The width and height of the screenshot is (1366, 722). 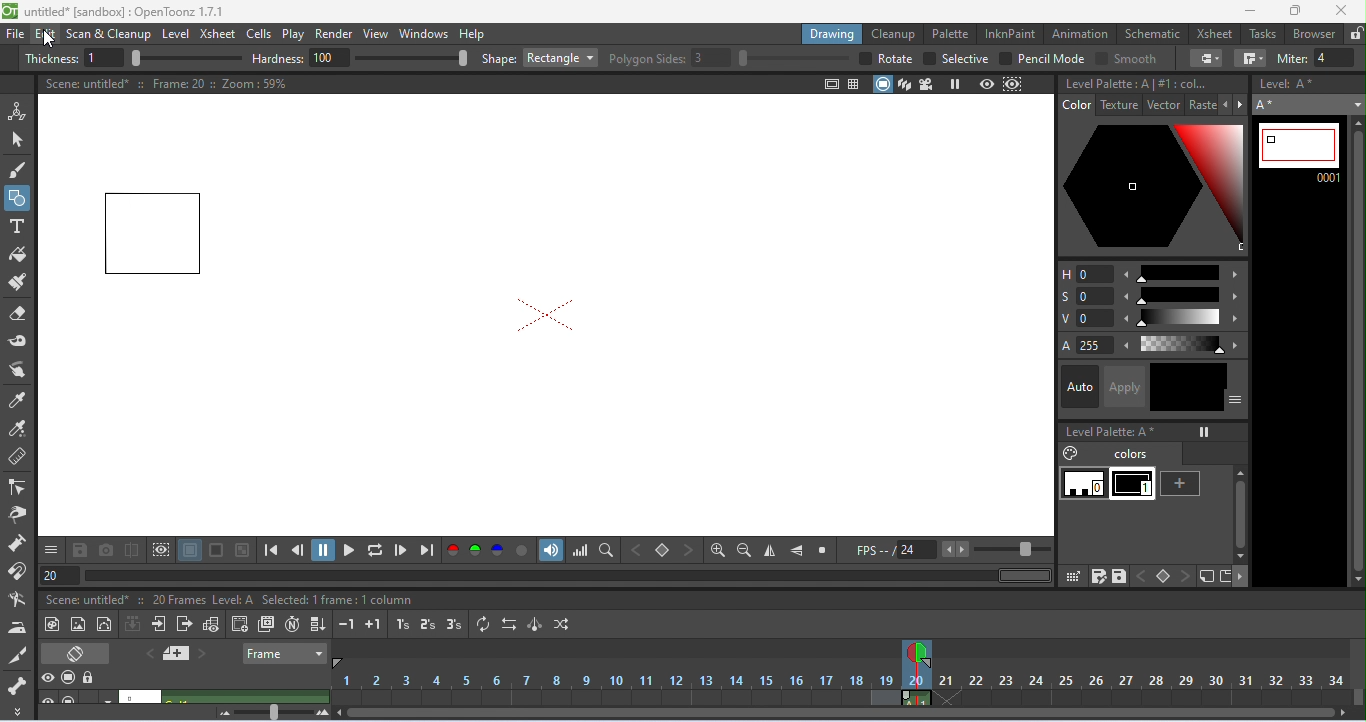 What do you see at coordinates (91, 678) in the screenshot?
I see `lock toggle all` at bounding box center [91, 678].